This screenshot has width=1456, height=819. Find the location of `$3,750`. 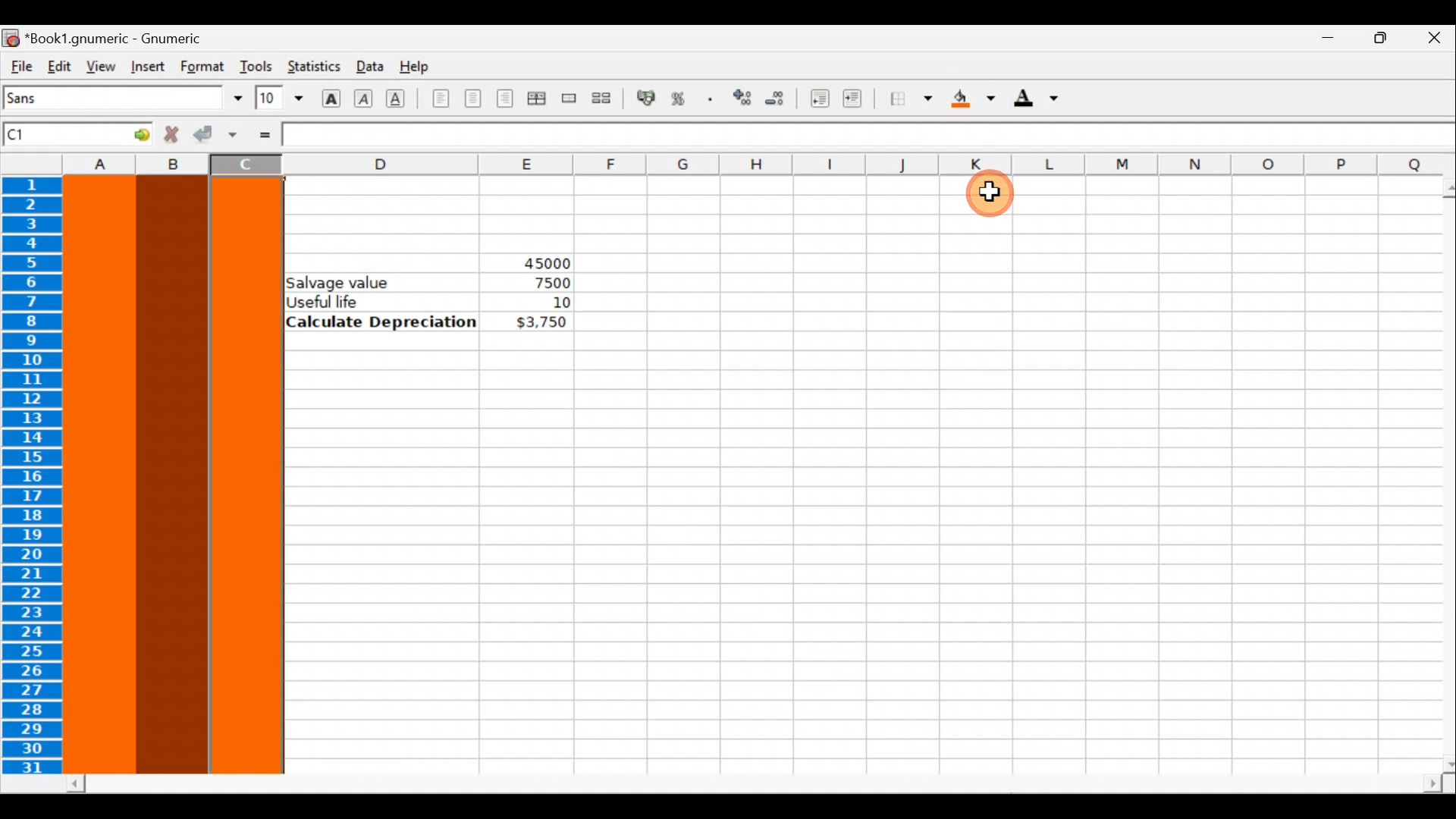

$3,750 is located at coordinates (540, 323).